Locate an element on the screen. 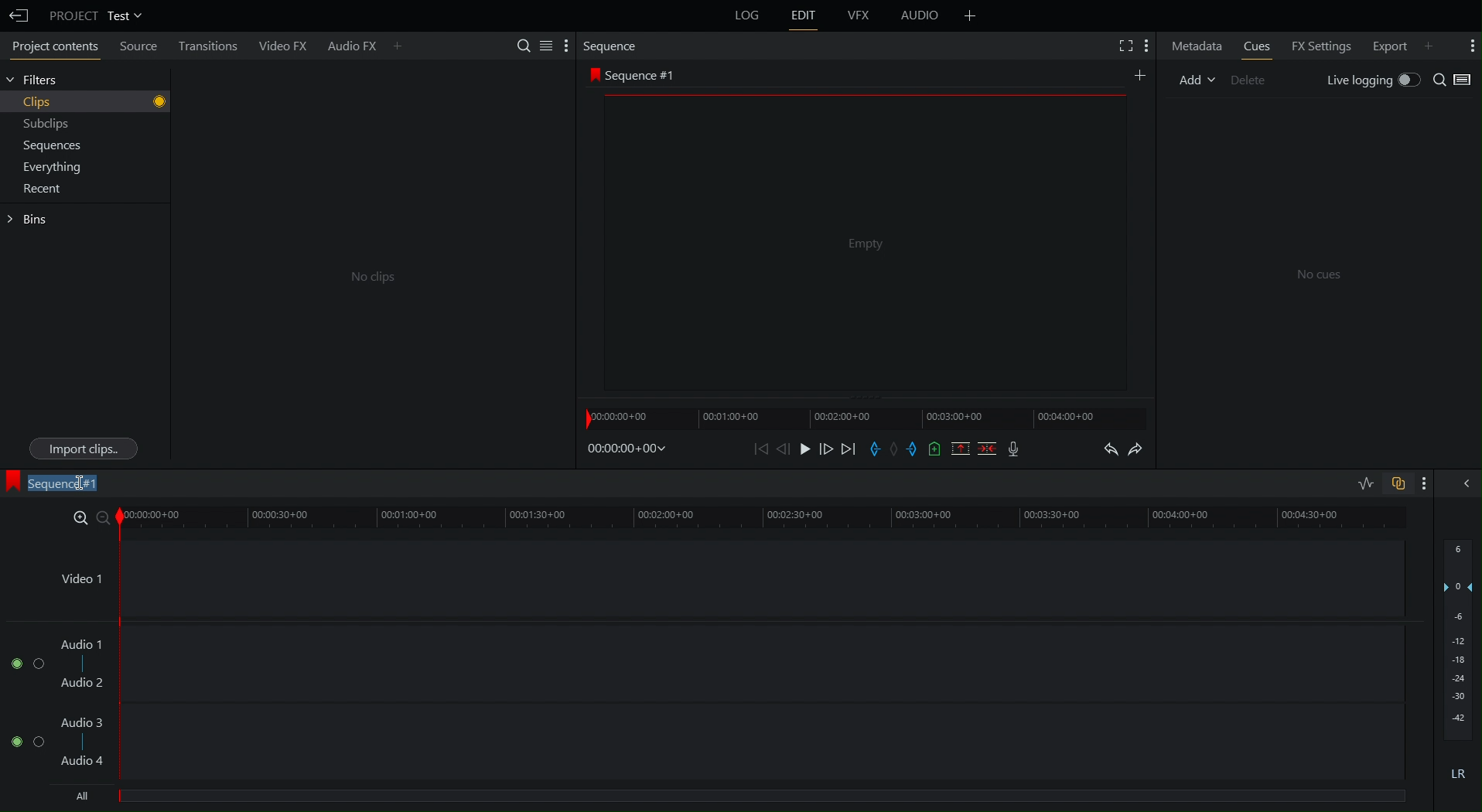  Skip back is located at coordinates (761, 450).